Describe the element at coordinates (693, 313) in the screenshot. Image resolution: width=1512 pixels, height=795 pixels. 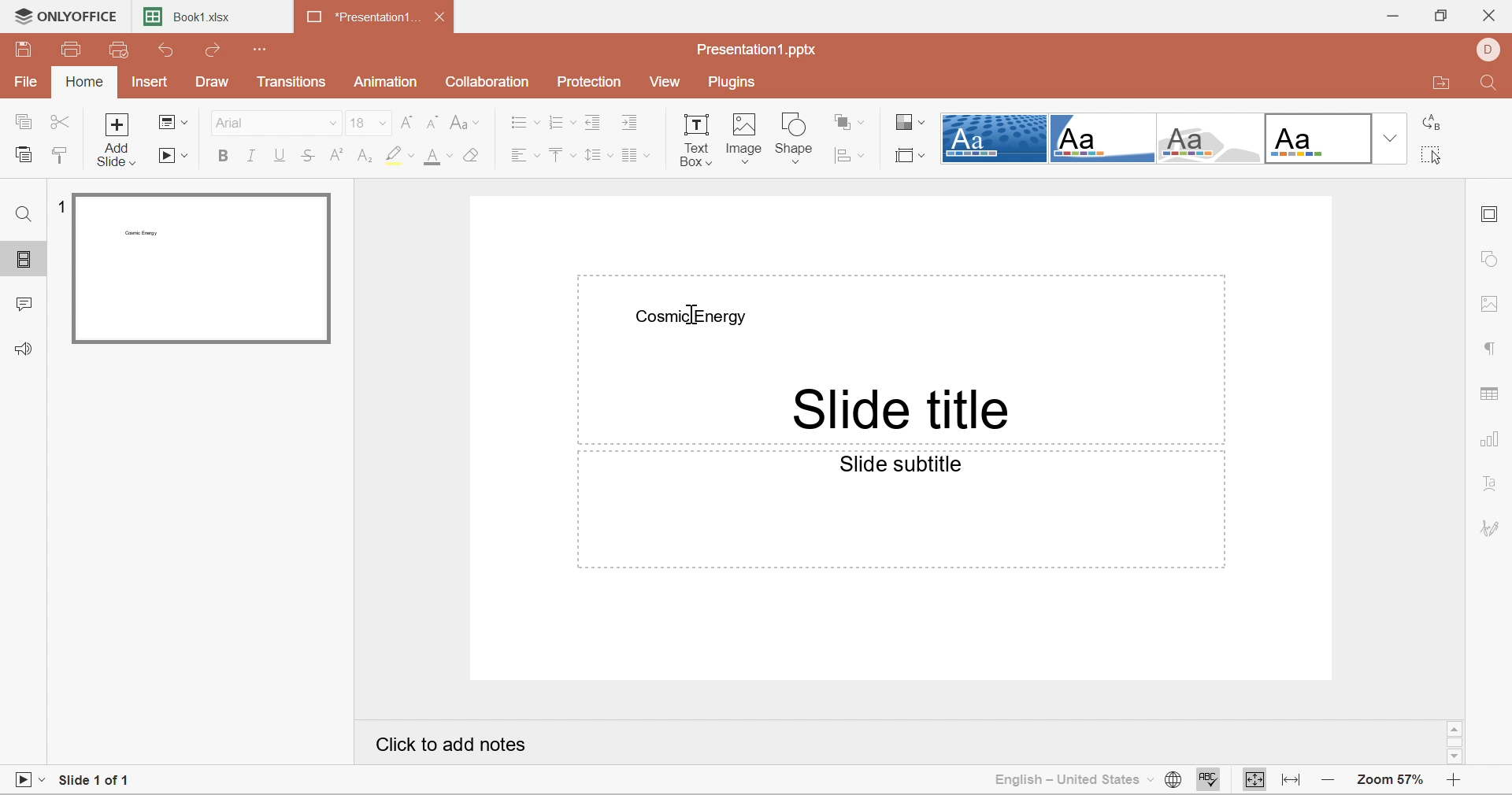
I see `Cursor` at that location.